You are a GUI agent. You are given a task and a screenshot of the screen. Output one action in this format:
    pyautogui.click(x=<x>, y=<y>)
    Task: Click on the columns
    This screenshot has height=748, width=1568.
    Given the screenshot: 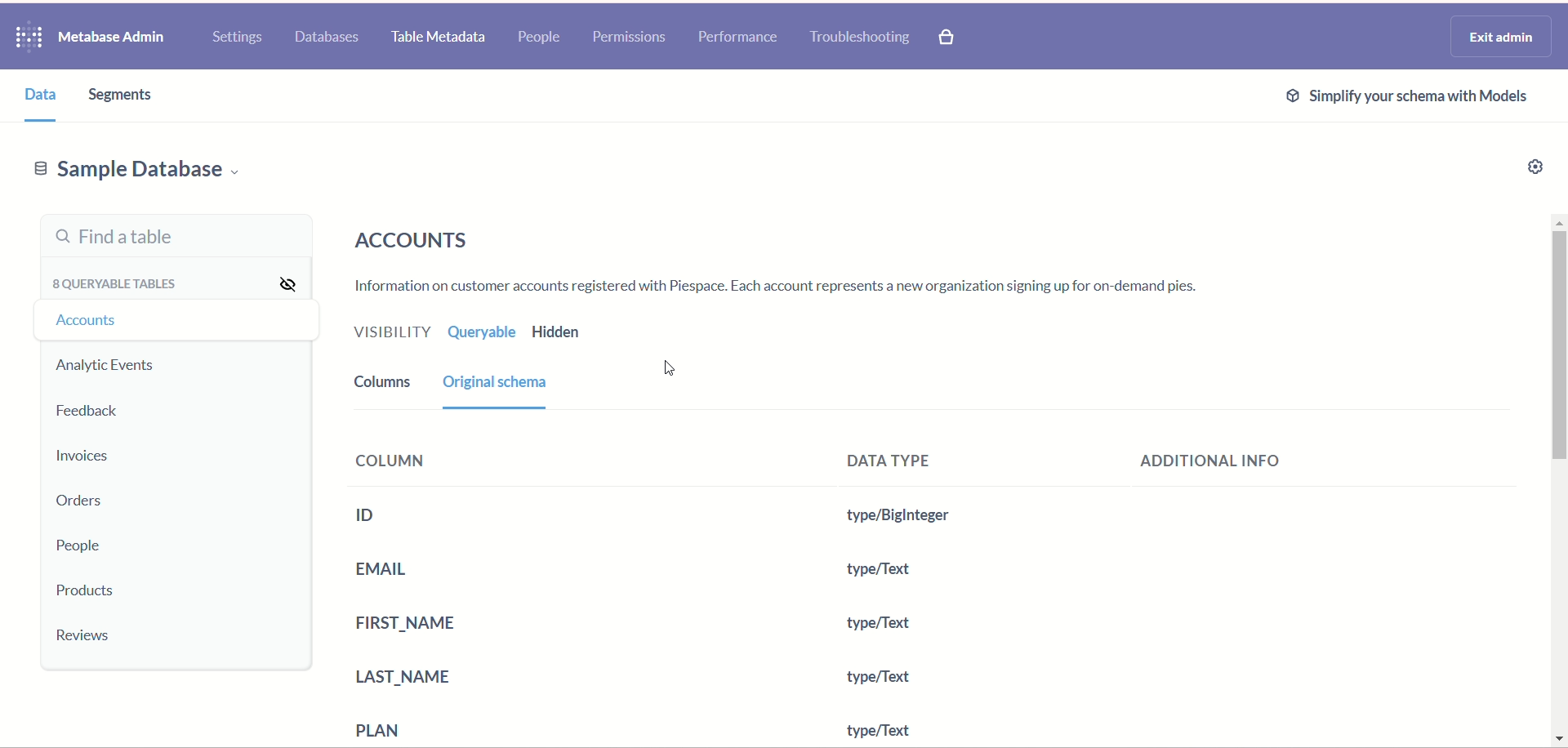 What is the action you would take?
    pyautogui.click(x=376, y=387)
    